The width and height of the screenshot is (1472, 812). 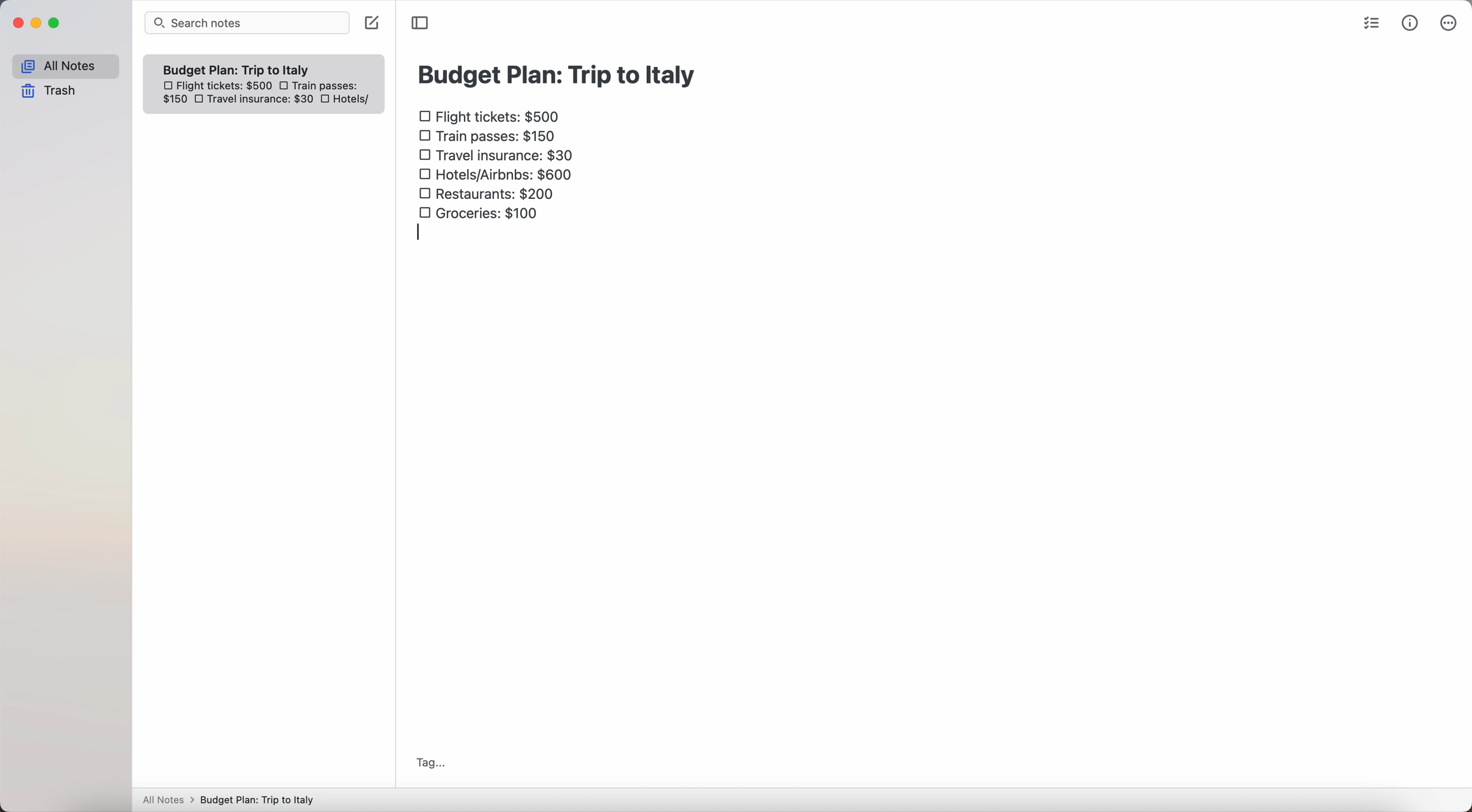 What do you see at coordinates (371, 24) in the screenshot?
I see `create note` at bounding box center [371, 24].